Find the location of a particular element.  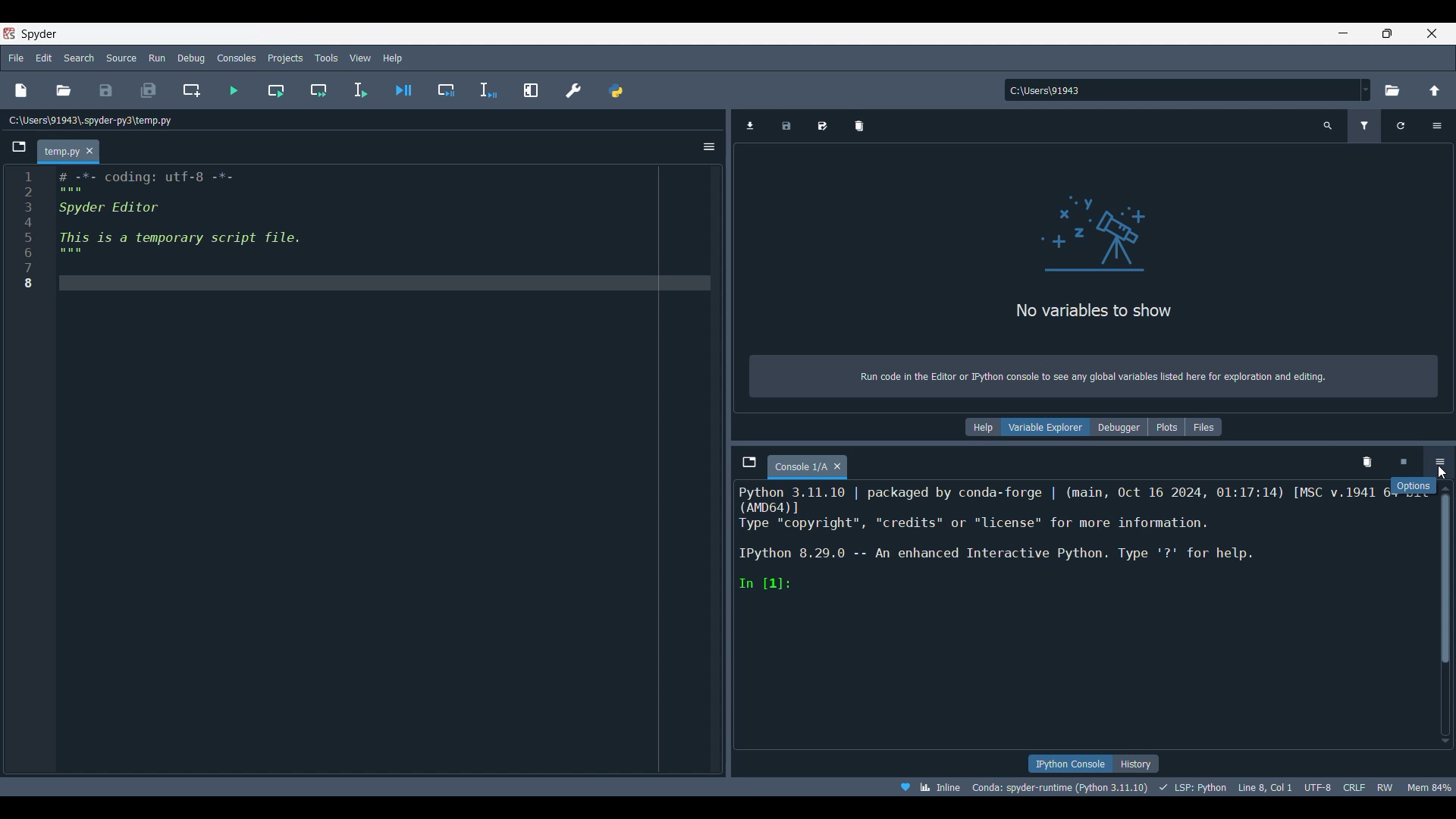

Close interface is located at coordinates (1432, 33).